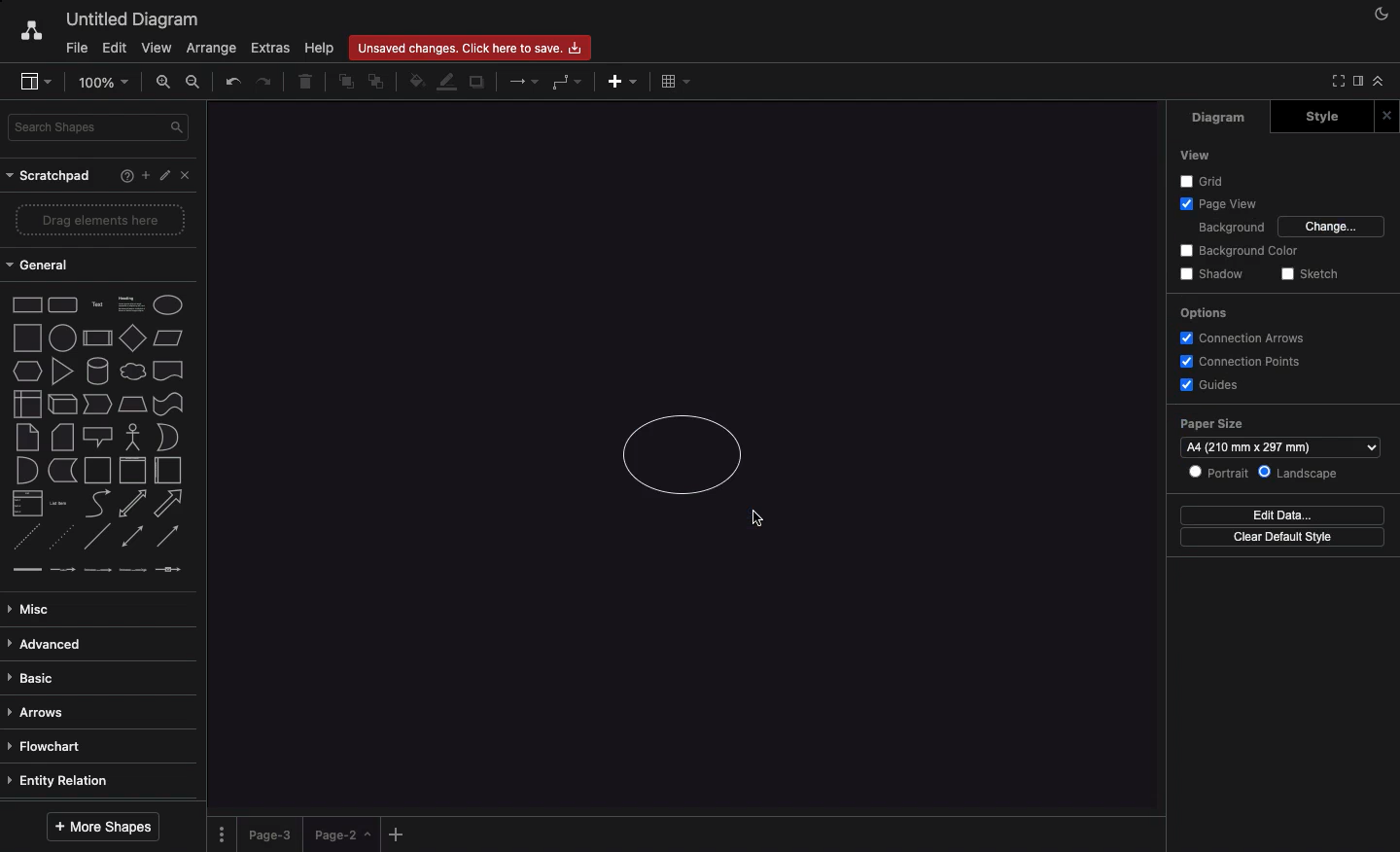 The image size is (1400, 852). I want to click on To front, so click(347, 83).